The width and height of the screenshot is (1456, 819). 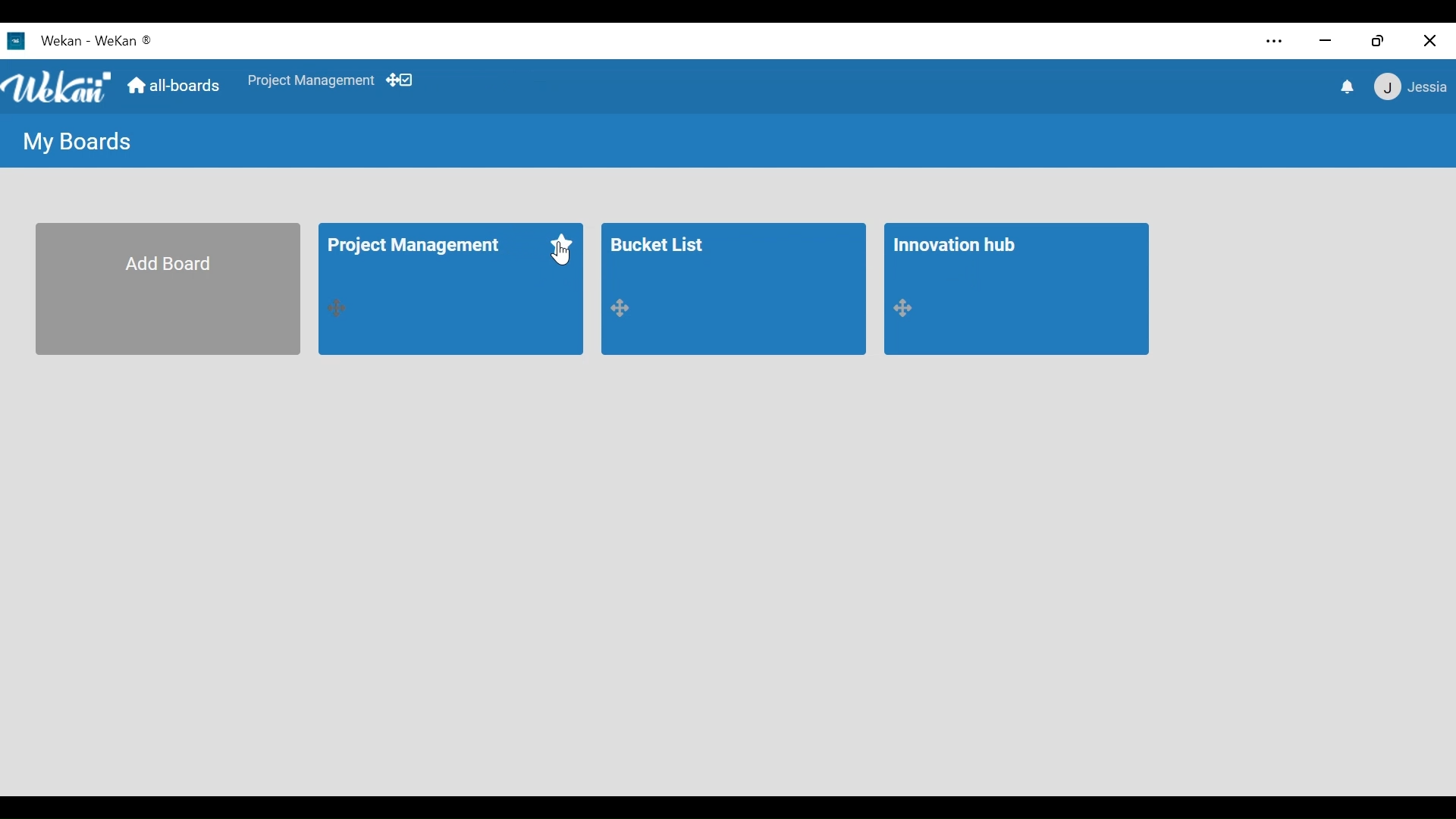 What do you see at coordinates (124, 39) in the screenshot?
I see `Wekan` at bounding box center [124, 39].